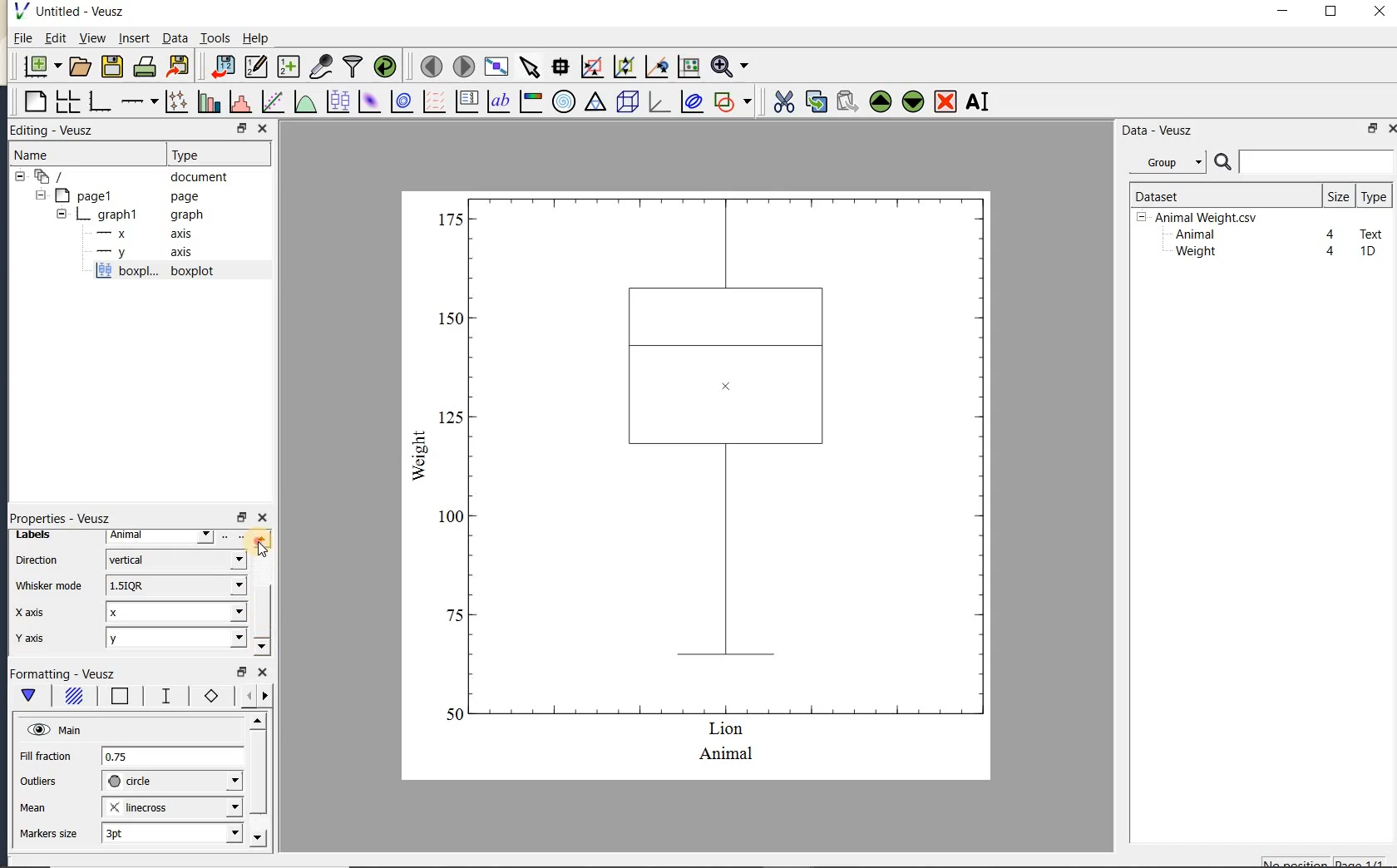 Image resolution: width=1397 pixels, height=868 pixels. What do you see at coordinates (690, 101) in the screenshot?
I see `plot covariance ellipses` at bounding box center [690, 101].